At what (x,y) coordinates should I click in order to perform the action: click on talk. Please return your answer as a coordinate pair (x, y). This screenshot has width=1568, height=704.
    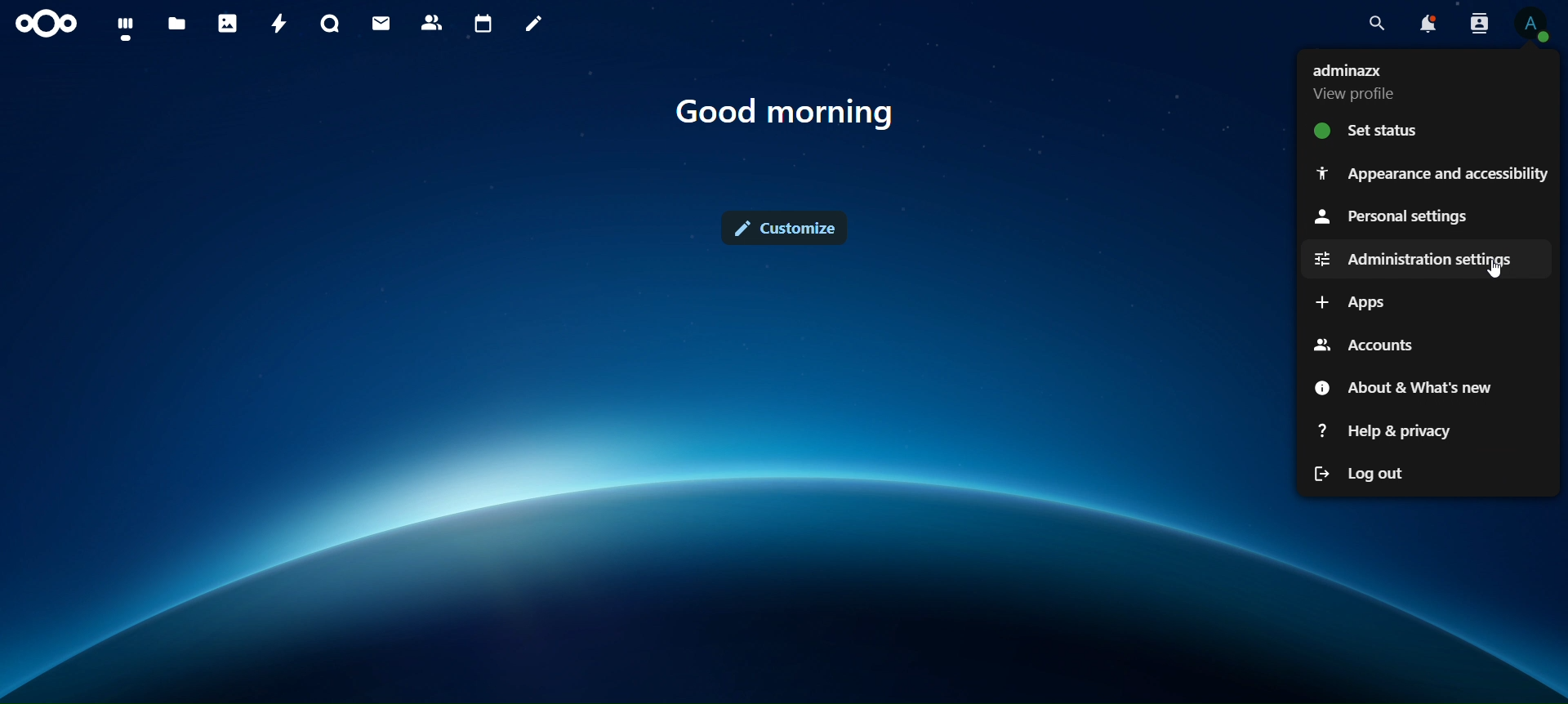
    Looking at the image, I should click on (327, 25).